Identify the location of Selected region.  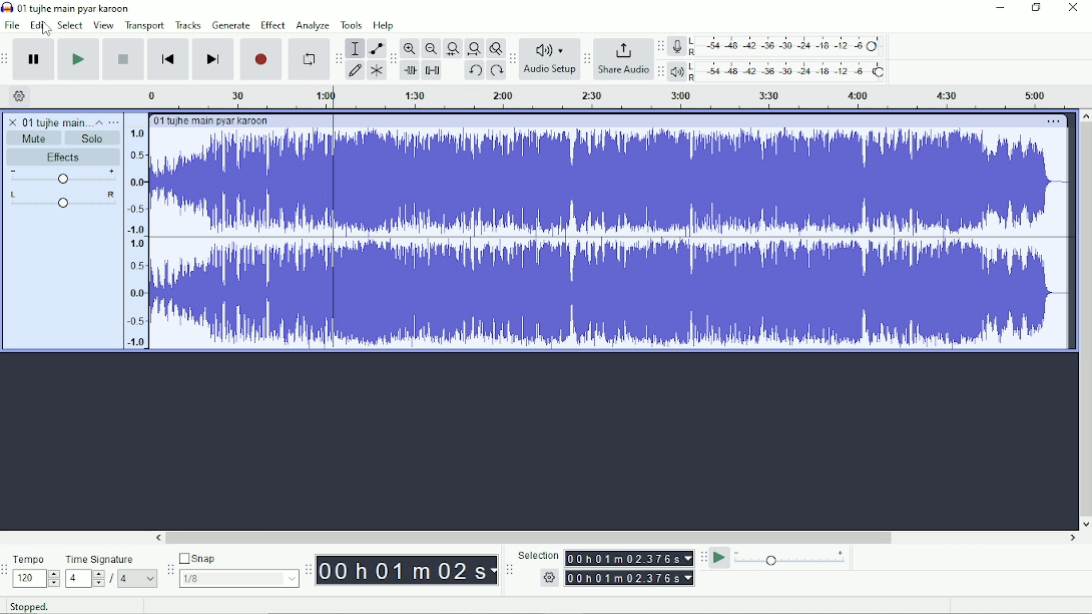
(333, 220).